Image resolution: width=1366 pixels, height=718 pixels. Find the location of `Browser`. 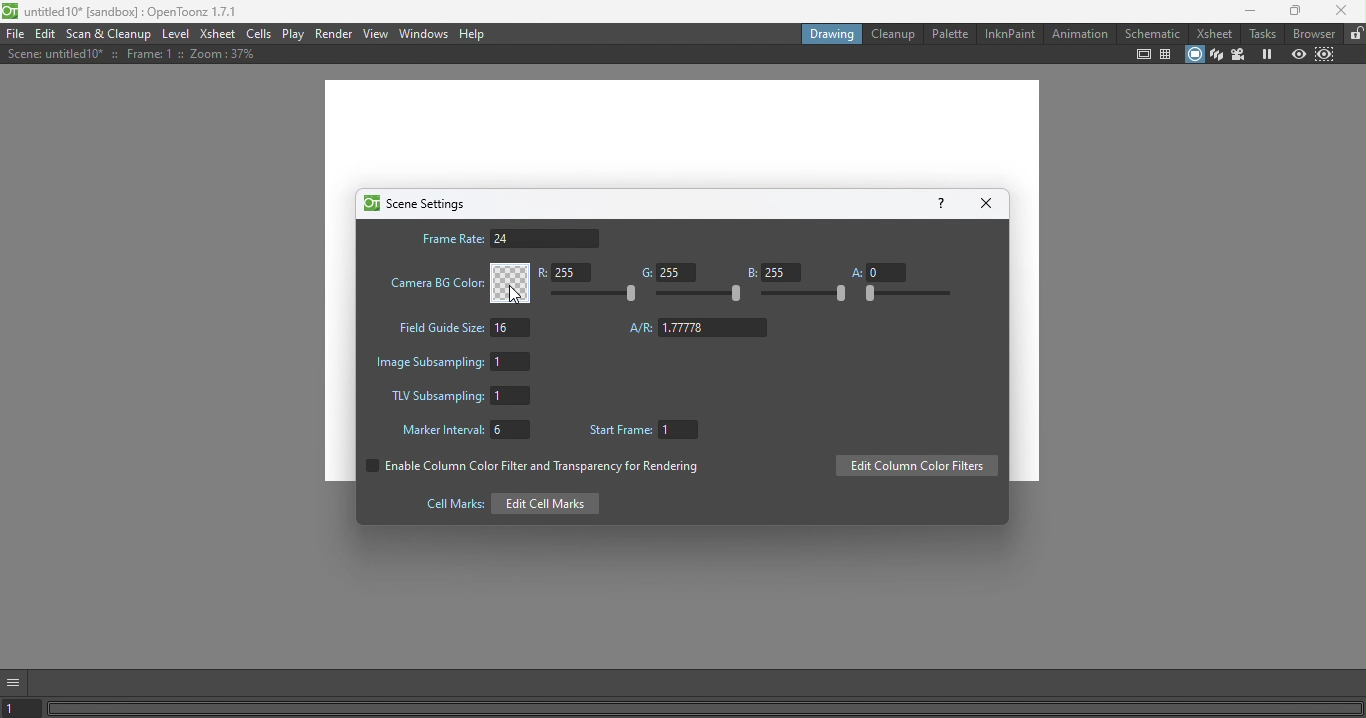

Browser is located at coordinates (1312, 33).